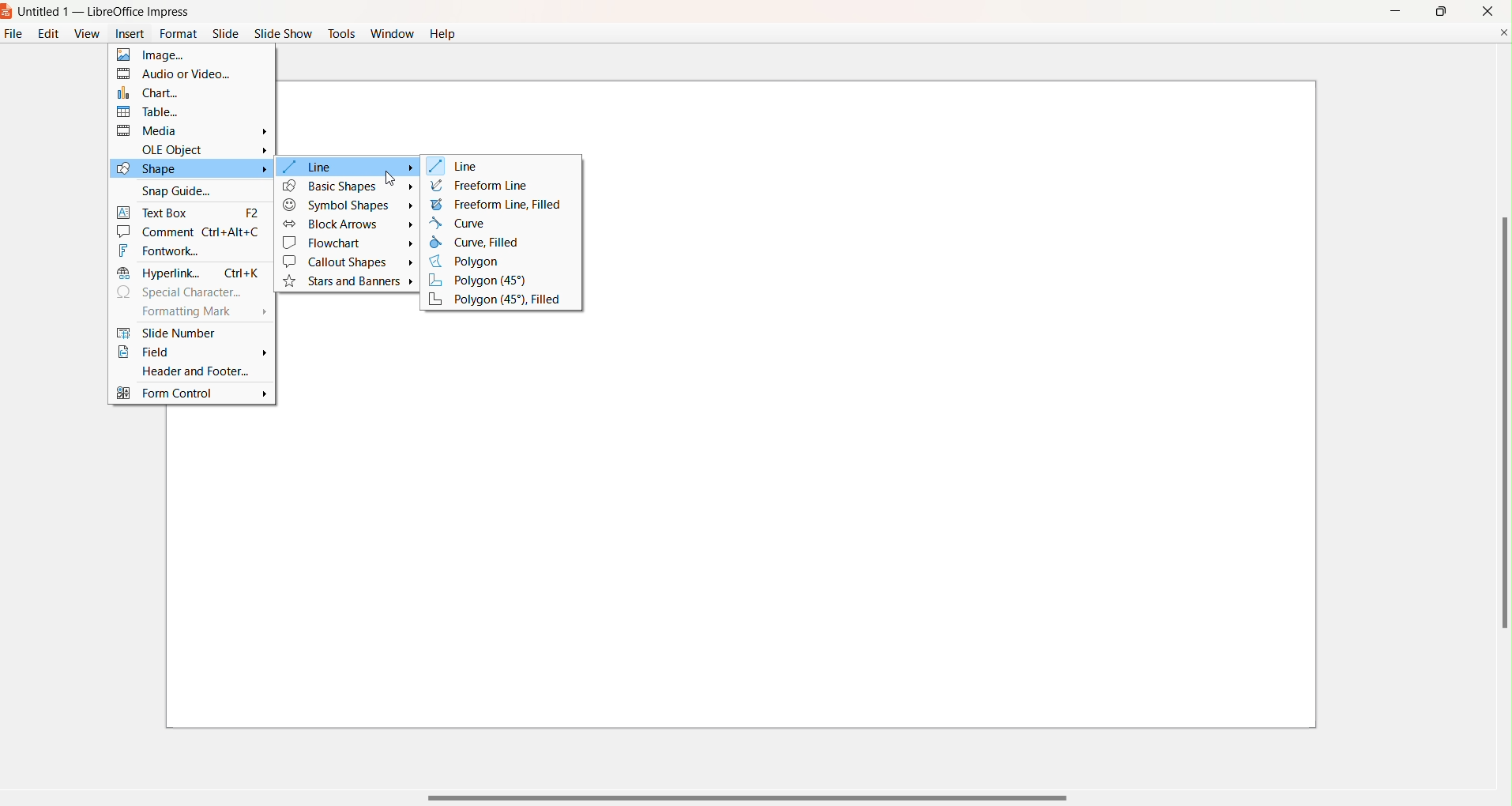 The image size is (1512, 806). I want to click on Tools, so click(342, 32).